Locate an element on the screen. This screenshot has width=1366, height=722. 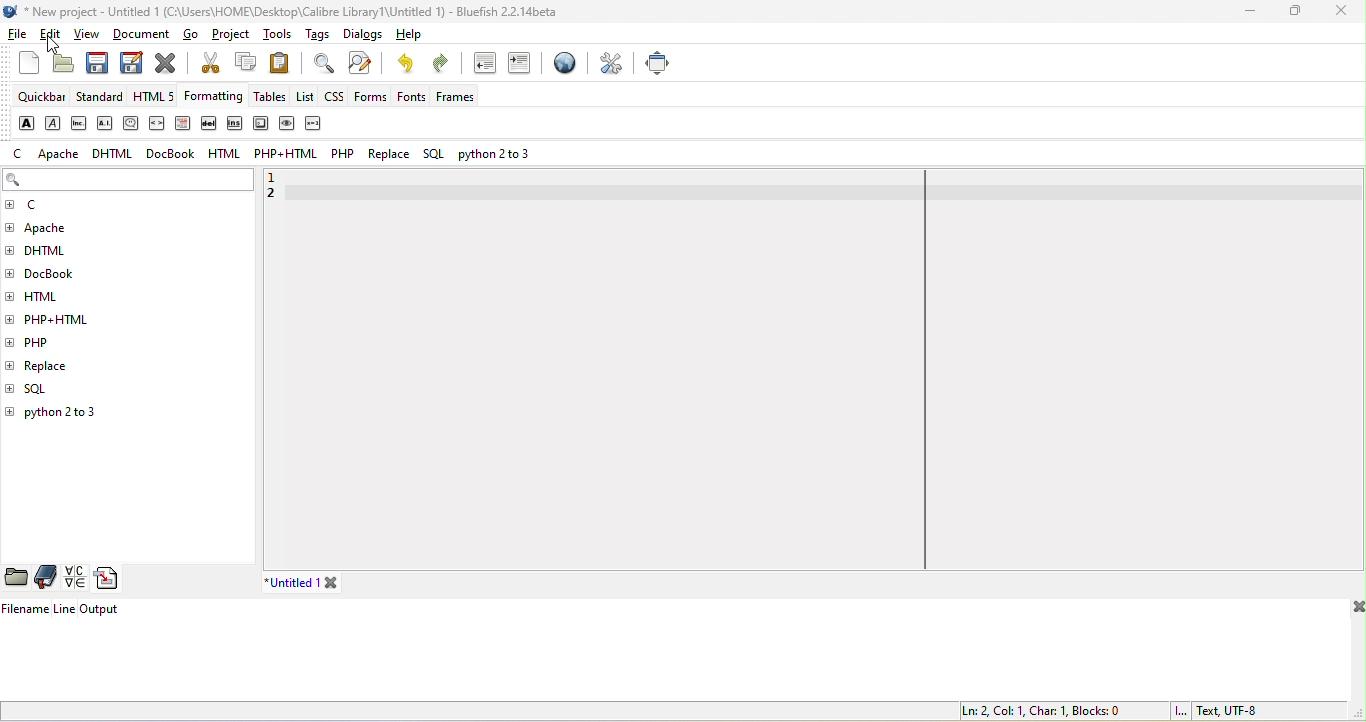
find and replace is located at coordinates (365, 64).